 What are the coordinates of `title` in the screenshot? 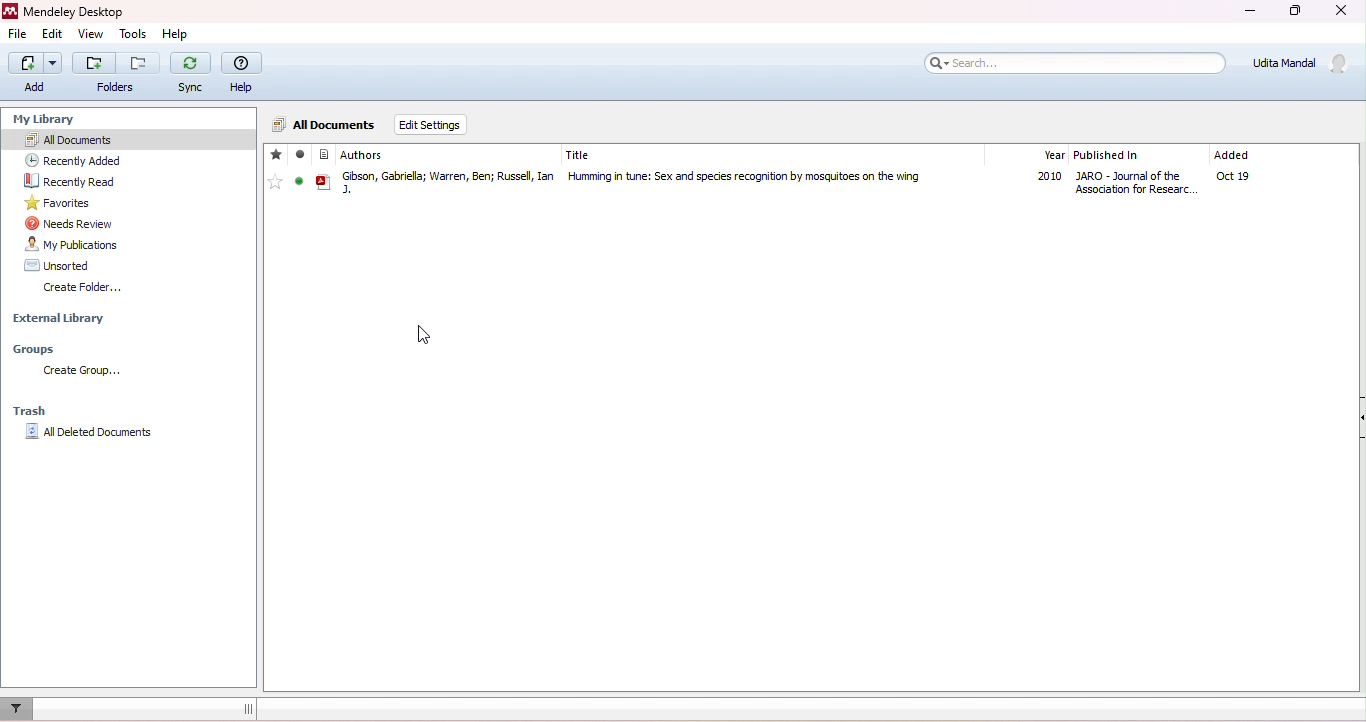 It's located at (579, 154).